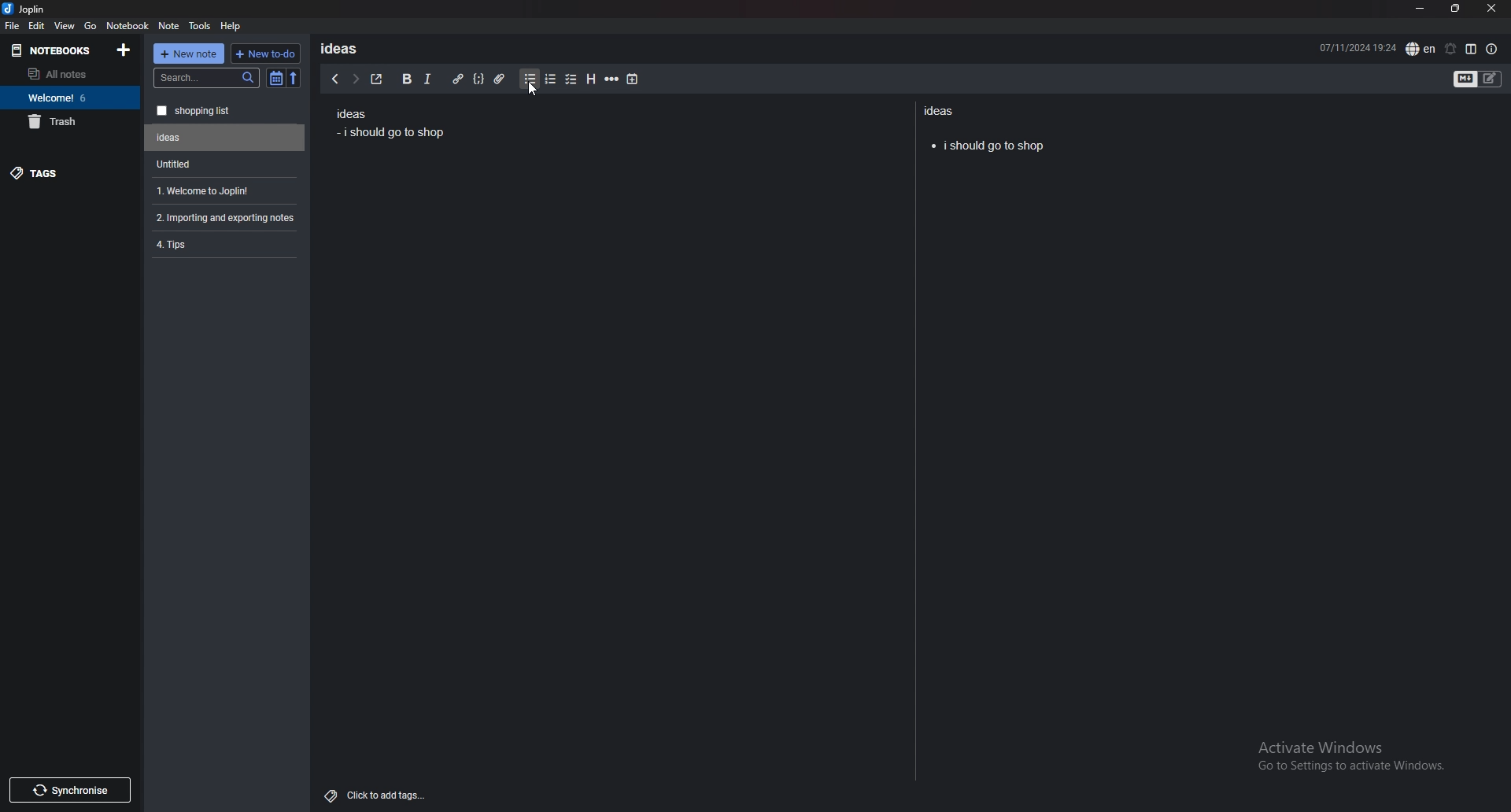  Describe the element at coordinates (1420, 49) in the screenshot. I see `spell check` at that location.